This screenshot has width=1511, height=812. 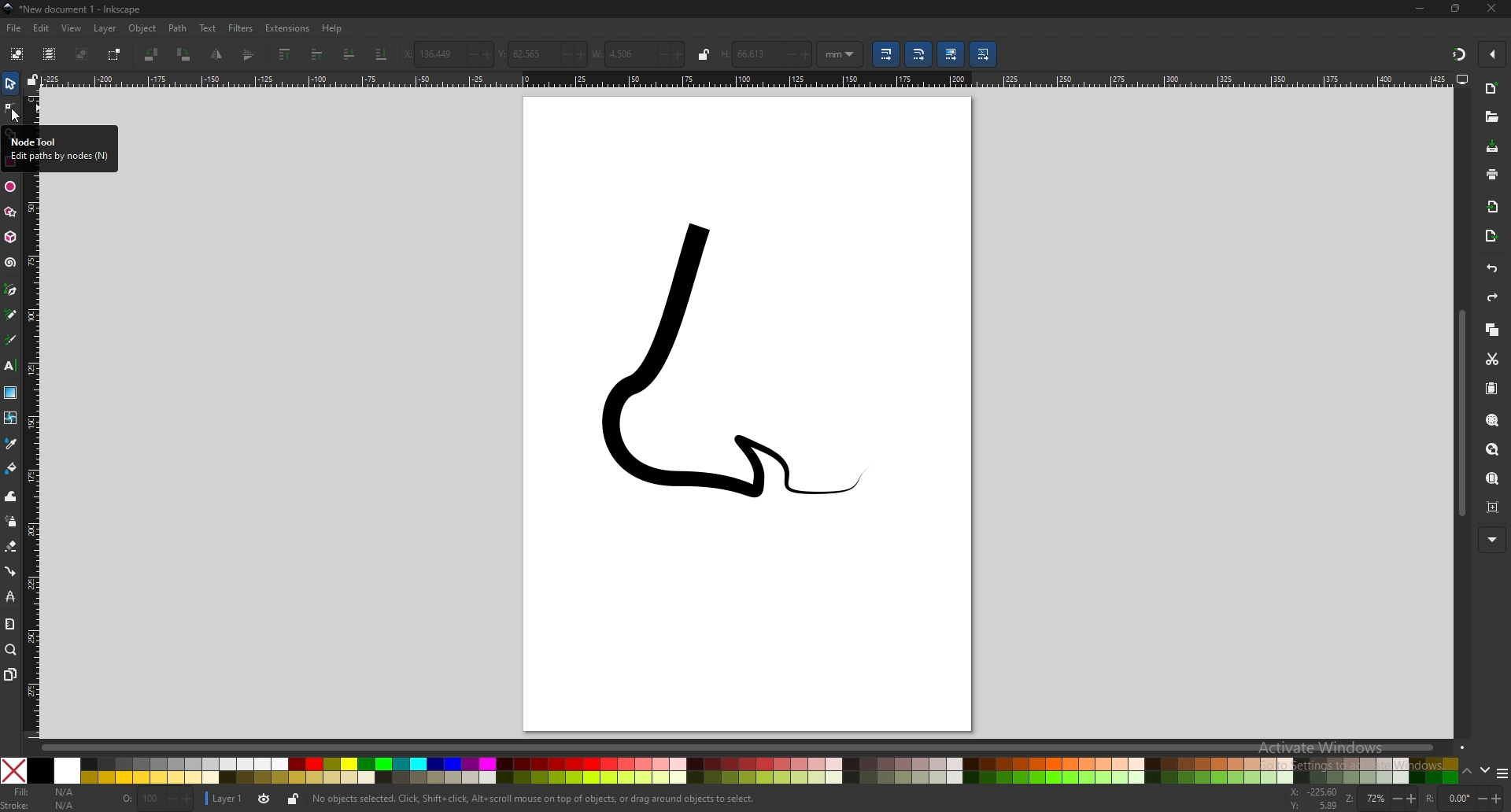 I want to click on calligraphy, so click(x=11, y=341).